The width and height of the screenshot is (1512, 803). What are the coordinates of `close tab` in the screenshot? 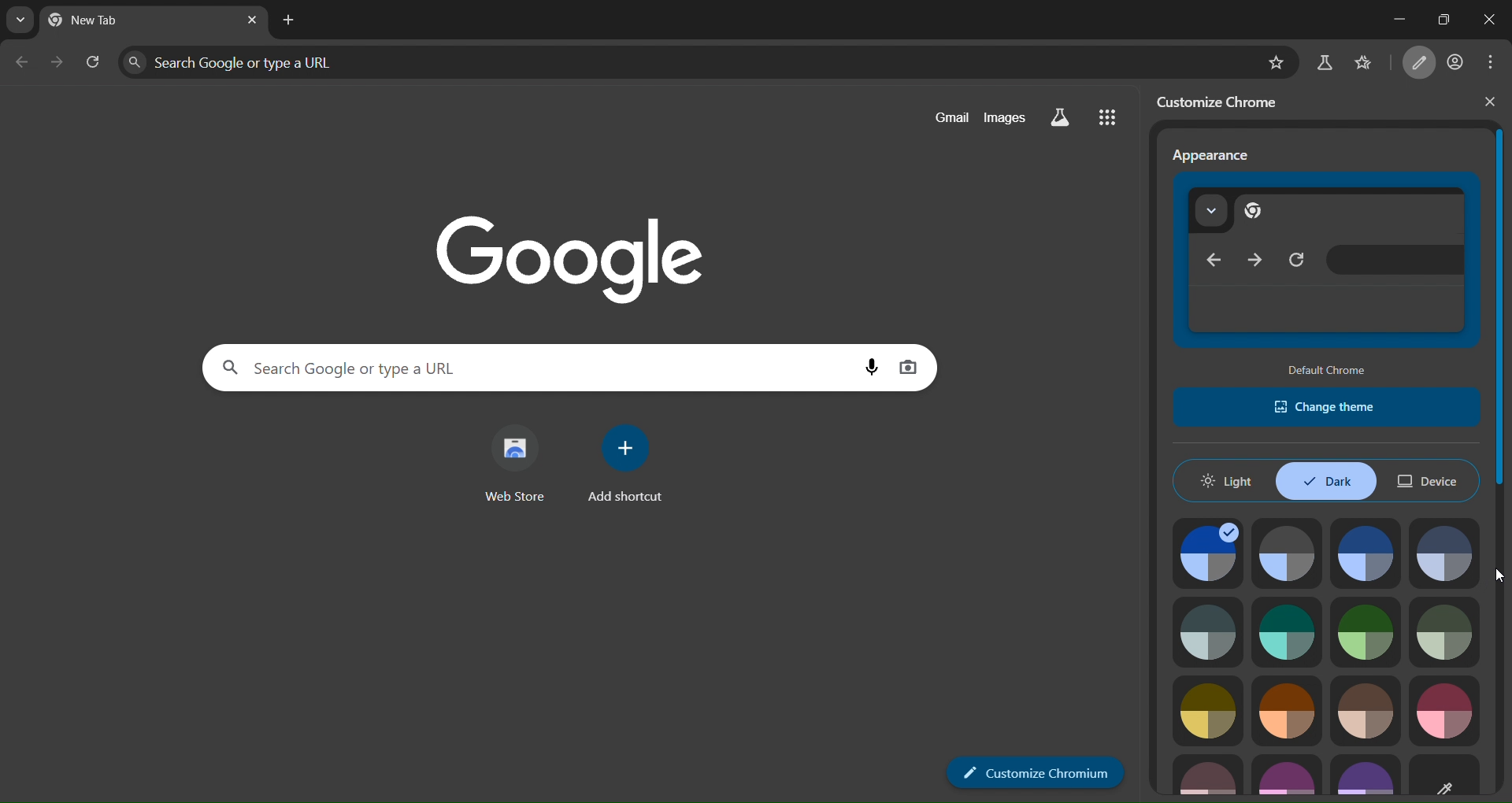 It's located at (254, 20).